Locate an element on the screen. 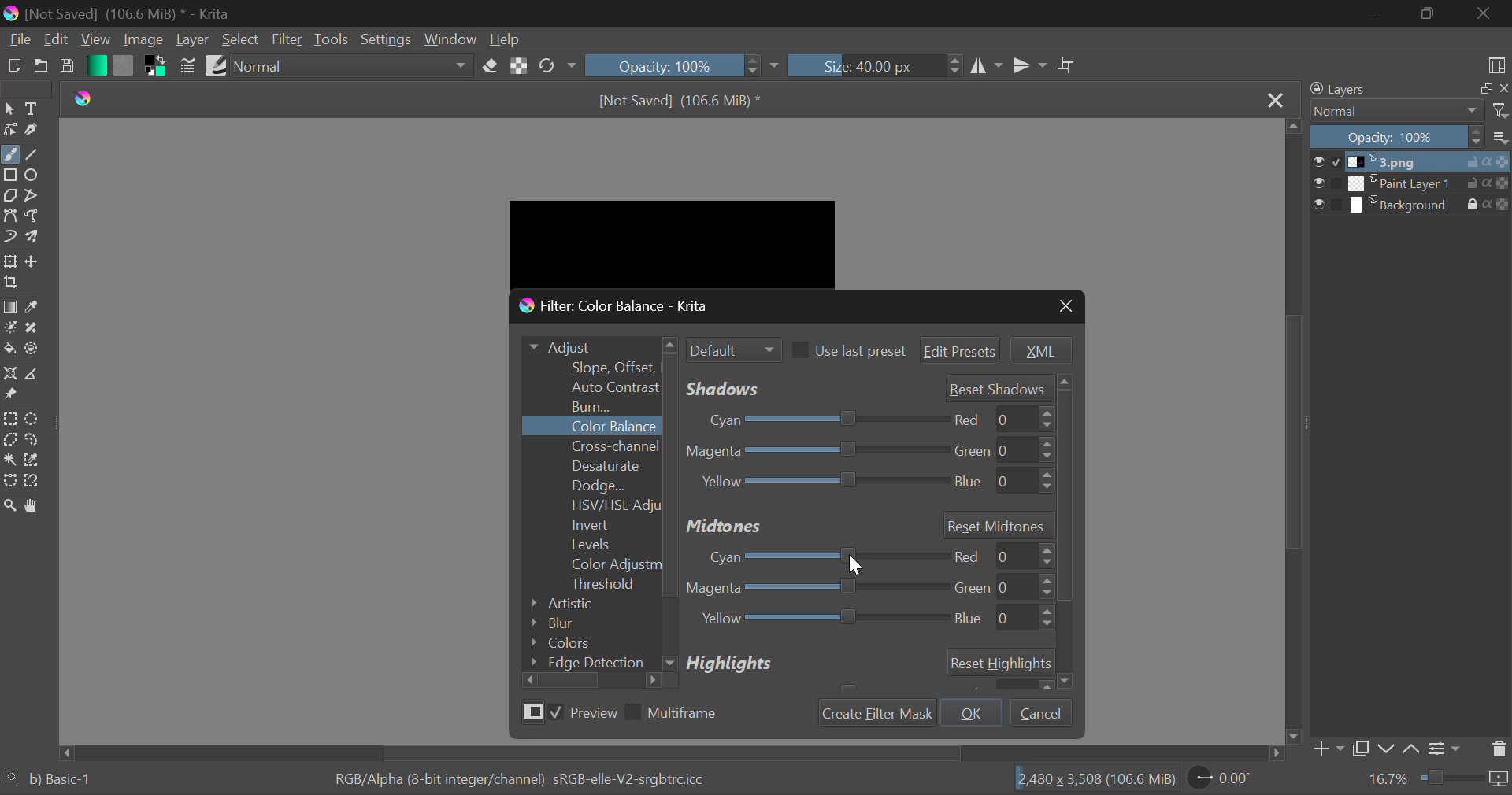 Image resolution: width=1512 pixels, height=795 pixels. Eyedropper is located at coordinates (36, 308).